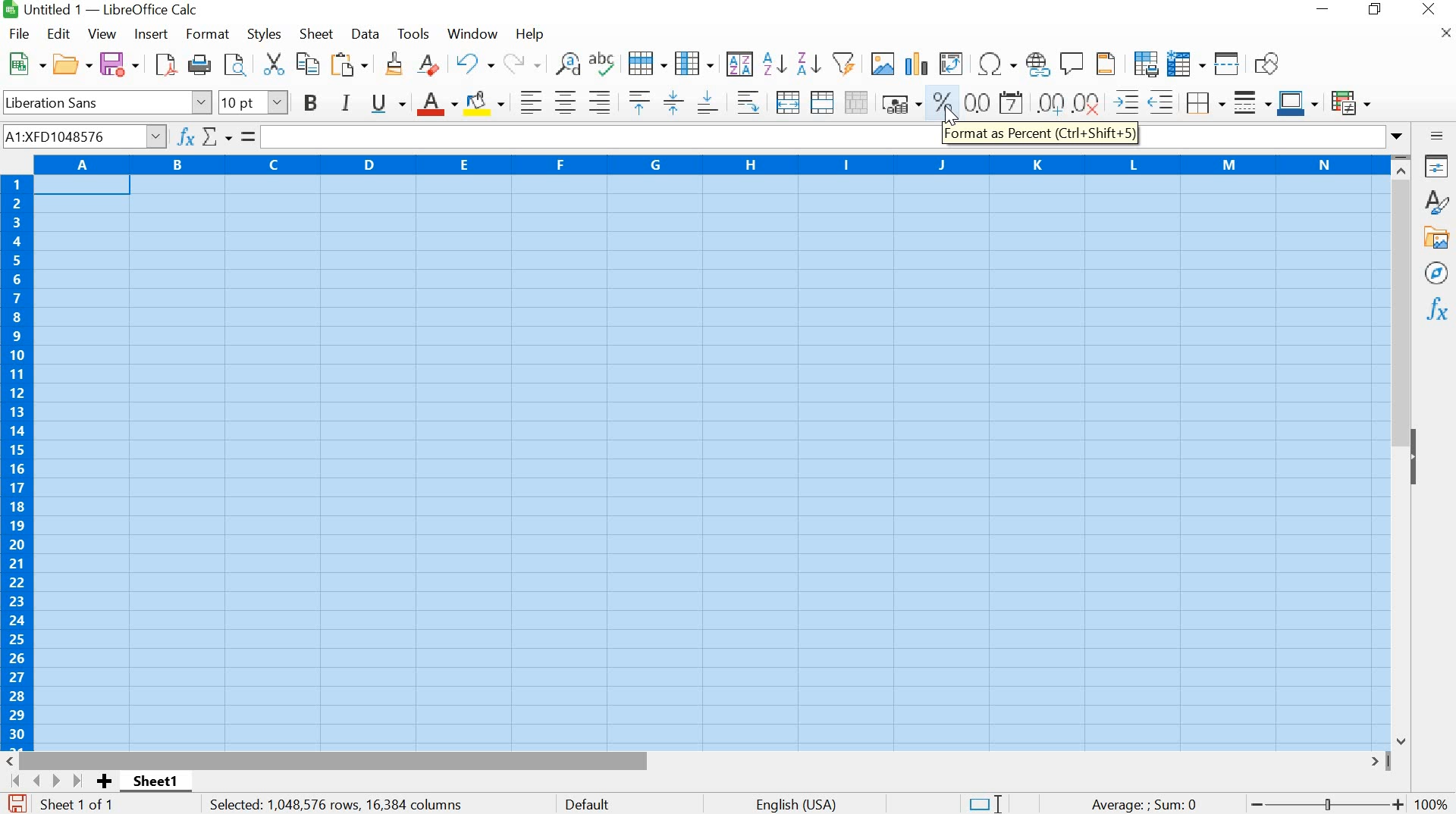  What do you see at coordinates (949, 62) in the screenshot?
I see `Insert or Edit Pivot Table` at bounding box center [949, 62].